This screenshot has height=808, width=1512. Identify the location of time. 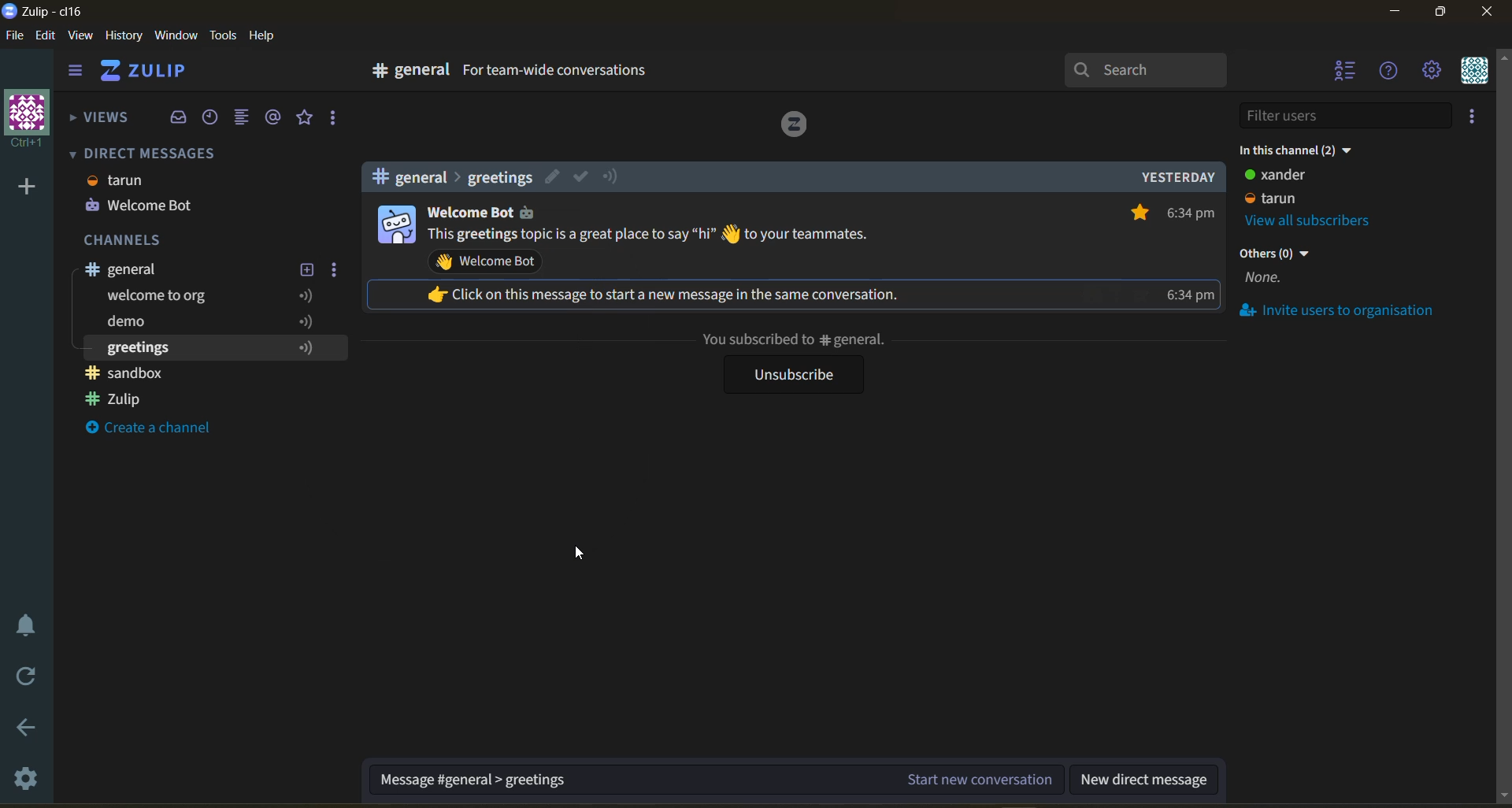
(1191, 256).